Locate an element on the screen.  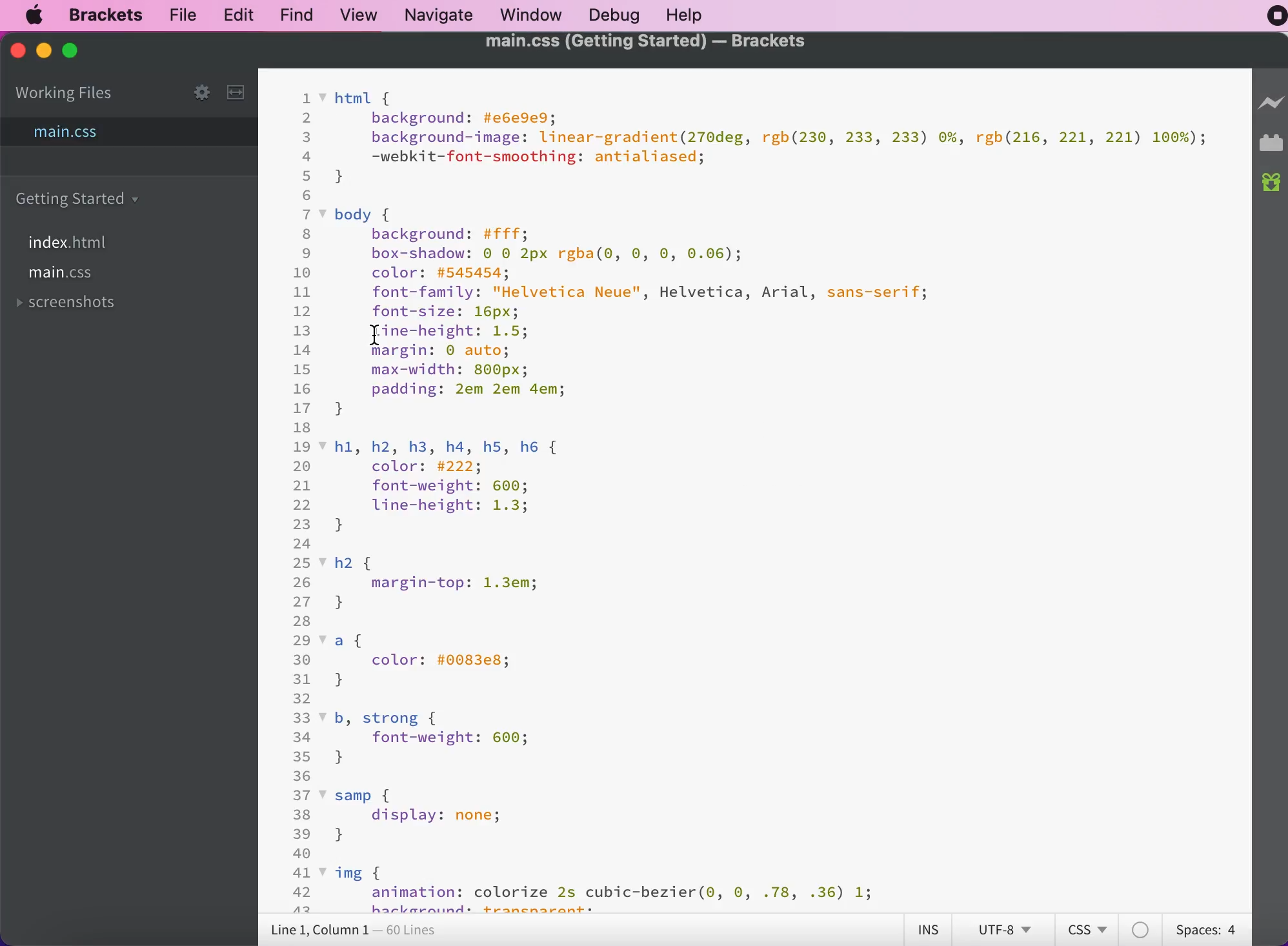
main.css (Getting started) - brackets is located at coordinates (657, 46).